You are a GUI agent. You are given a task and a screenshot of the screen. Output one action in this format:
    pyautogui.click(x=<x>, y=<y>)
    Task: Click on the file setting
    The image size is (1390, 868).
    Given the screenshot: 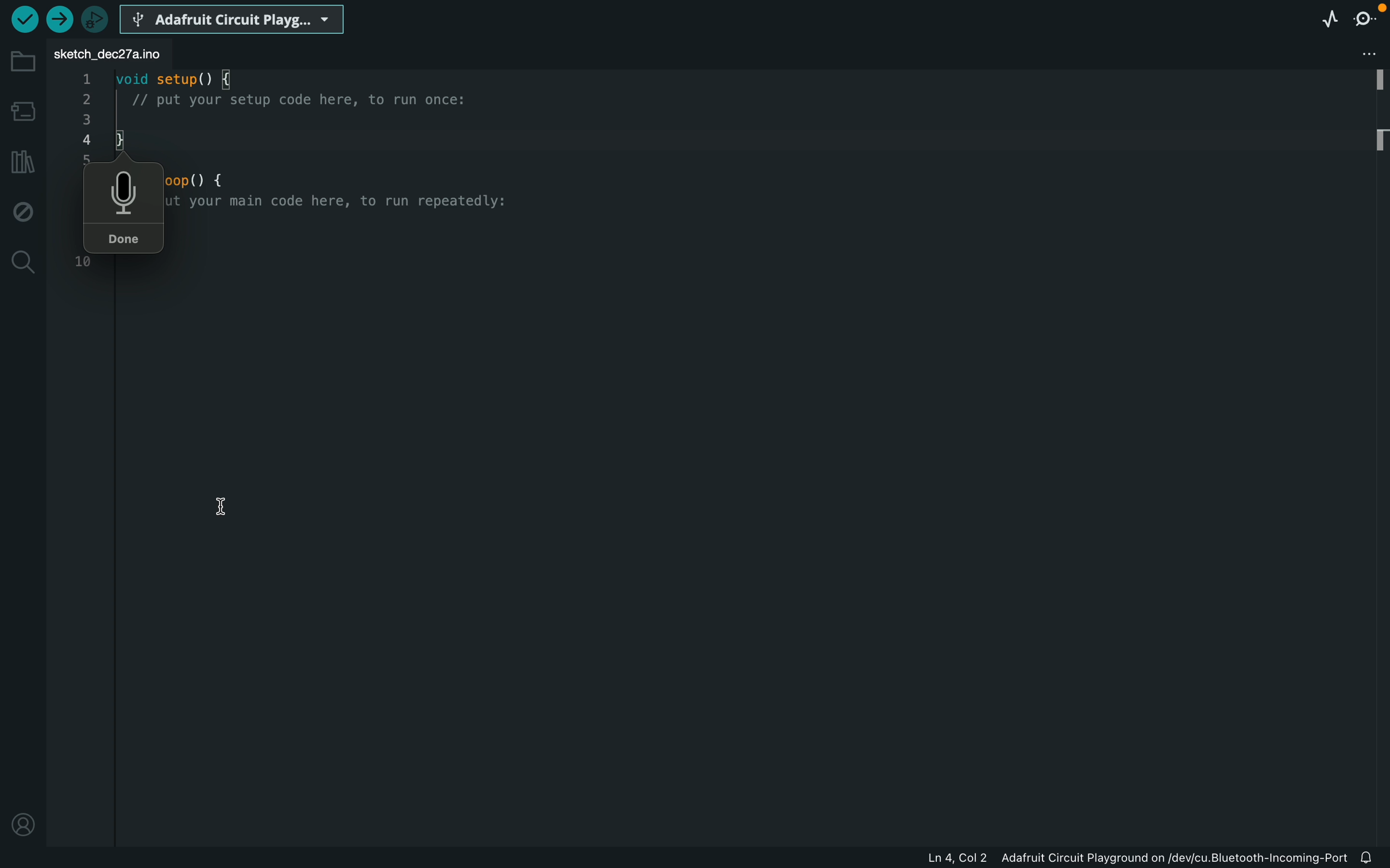 What is the action you would take?
    pyautogui.click(x=1370, y=52)
    